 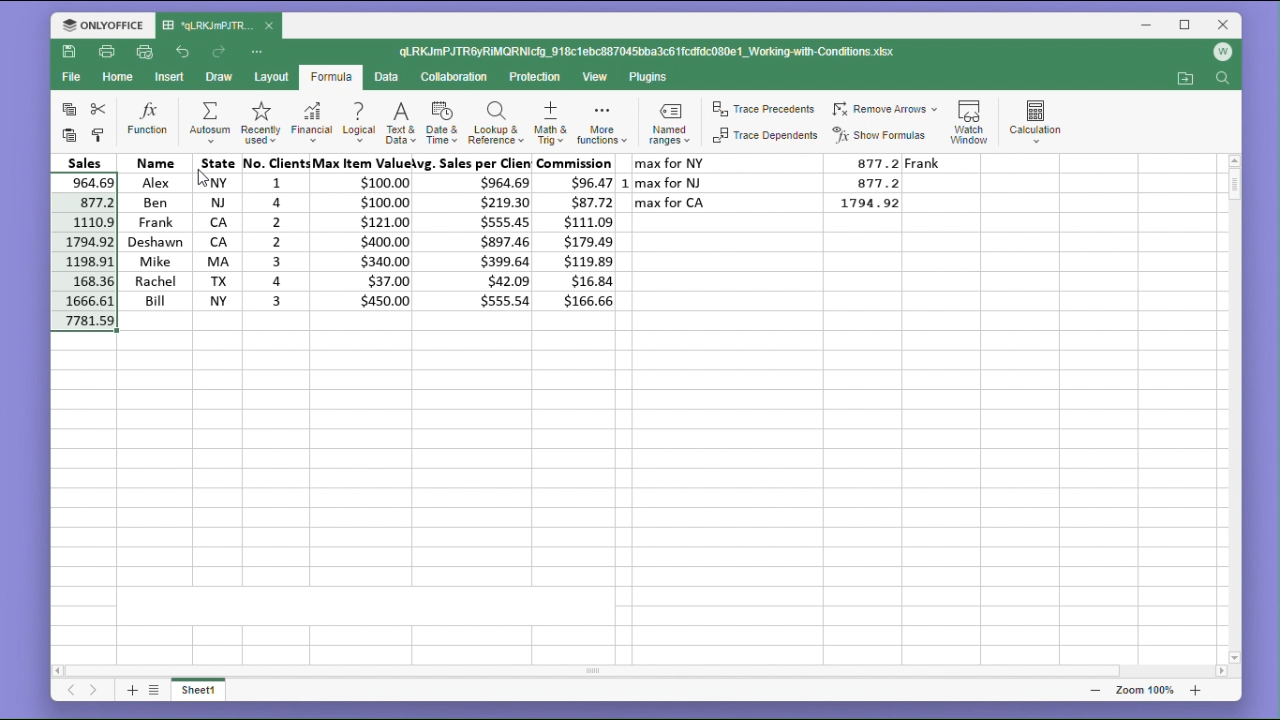 I want to click on scroll right, so click(x=1220, y=672).